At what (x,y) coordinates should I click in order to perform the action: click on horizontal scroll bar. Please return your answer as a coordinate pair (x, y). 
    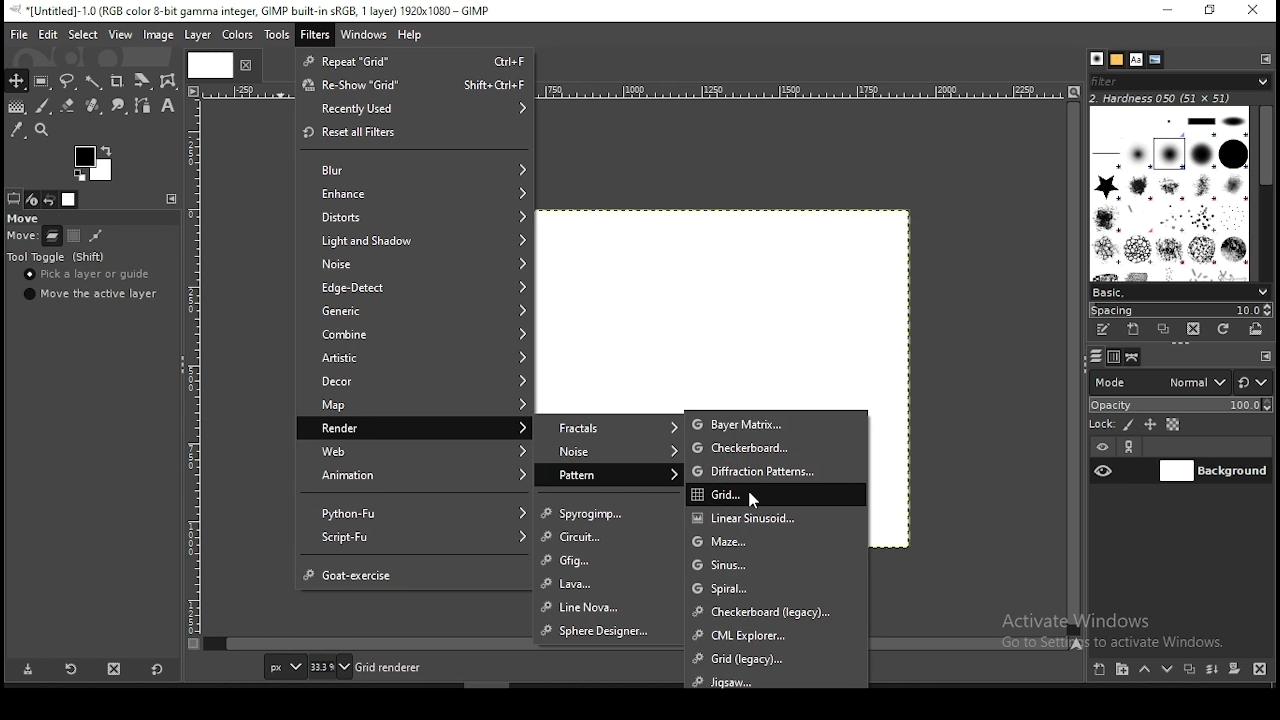
    Looking at the image, I should click on (1075, 367).